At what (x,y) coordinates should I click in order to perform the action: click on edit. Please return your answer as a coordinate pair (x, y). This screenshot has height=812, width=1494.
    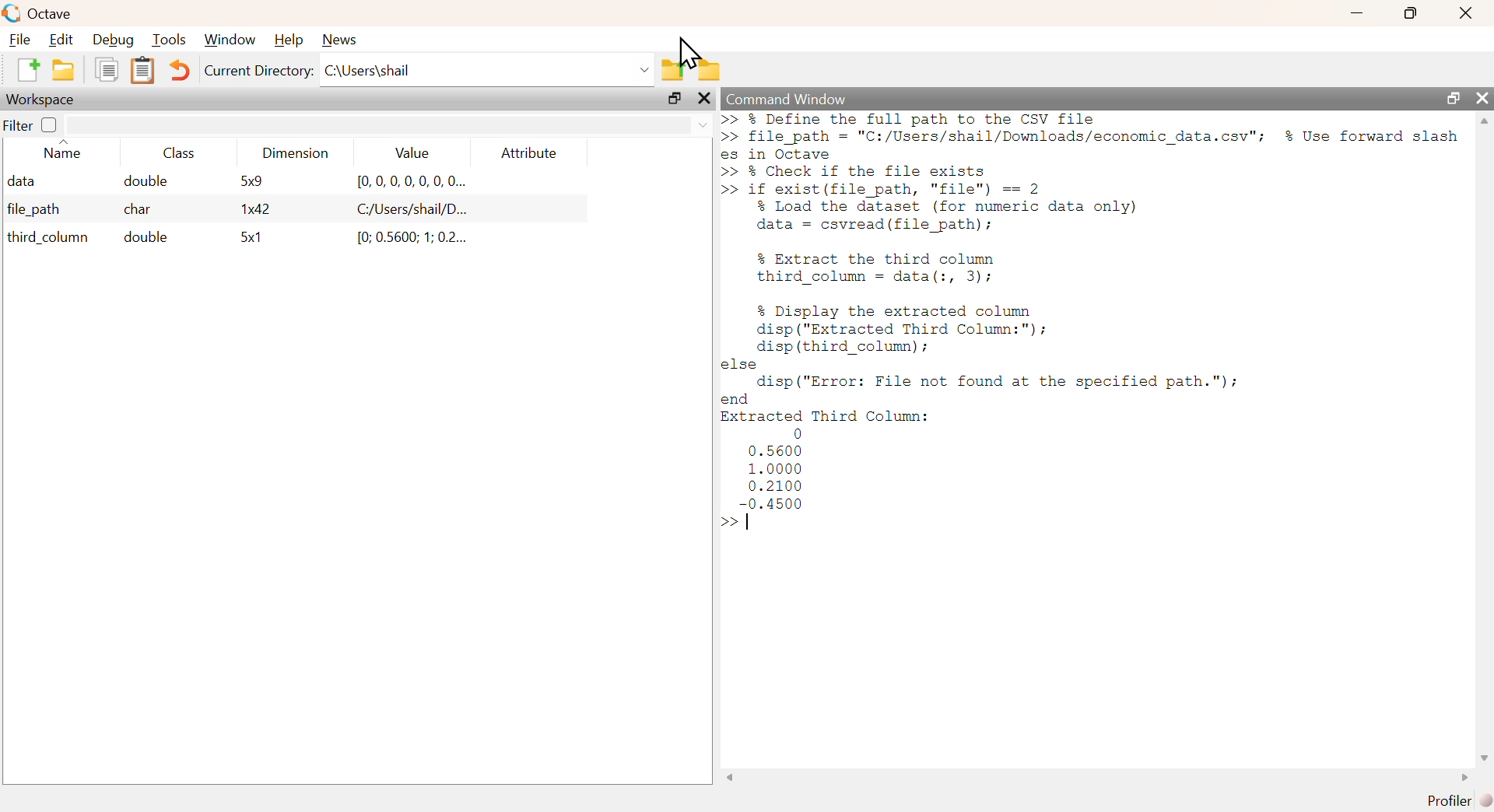
    Looking at the image, I should click on (62, 40).